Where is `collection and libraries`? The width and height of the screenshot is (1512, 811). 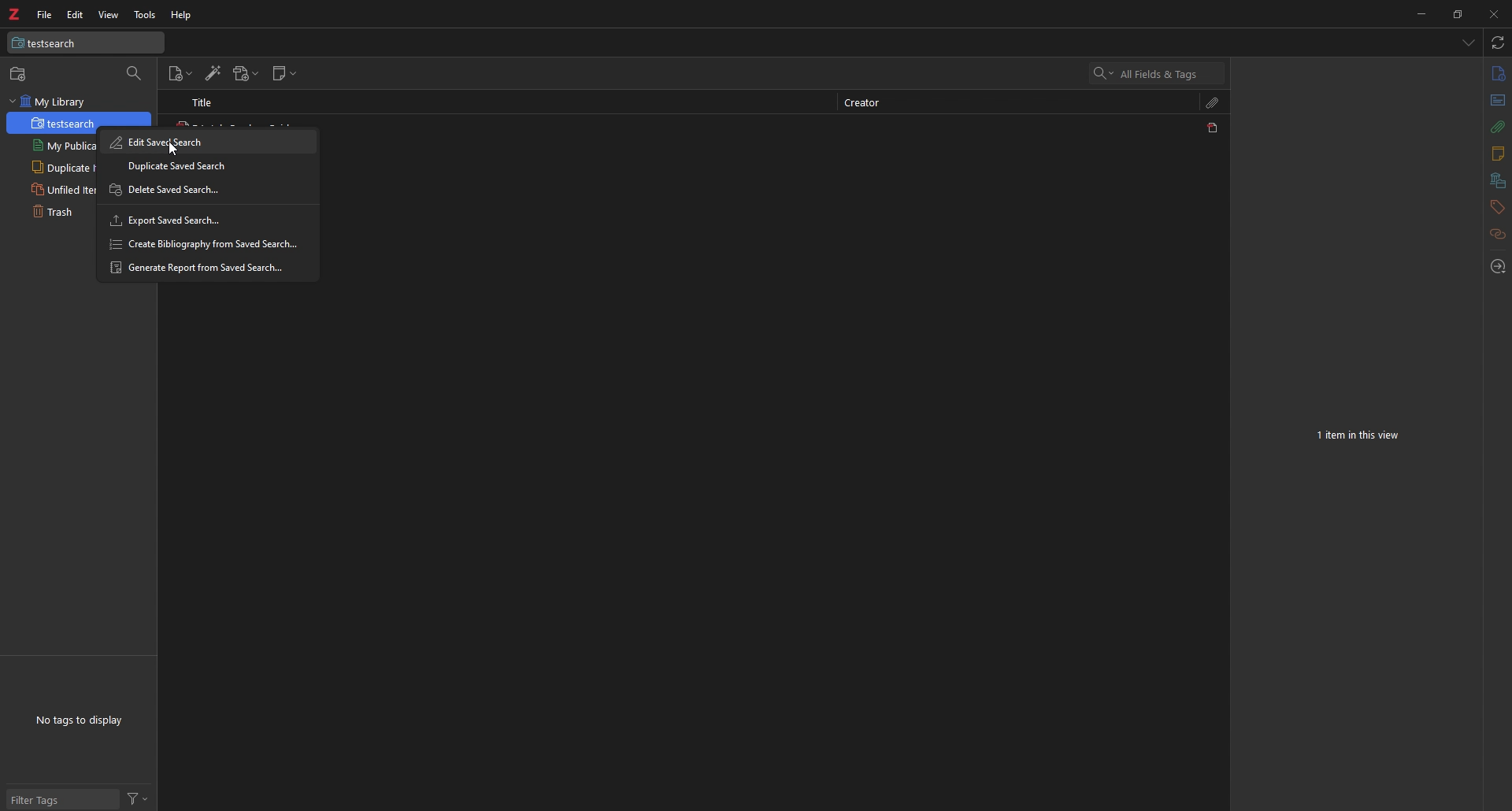
collection and libraries is located at coordinates (1498, 181).